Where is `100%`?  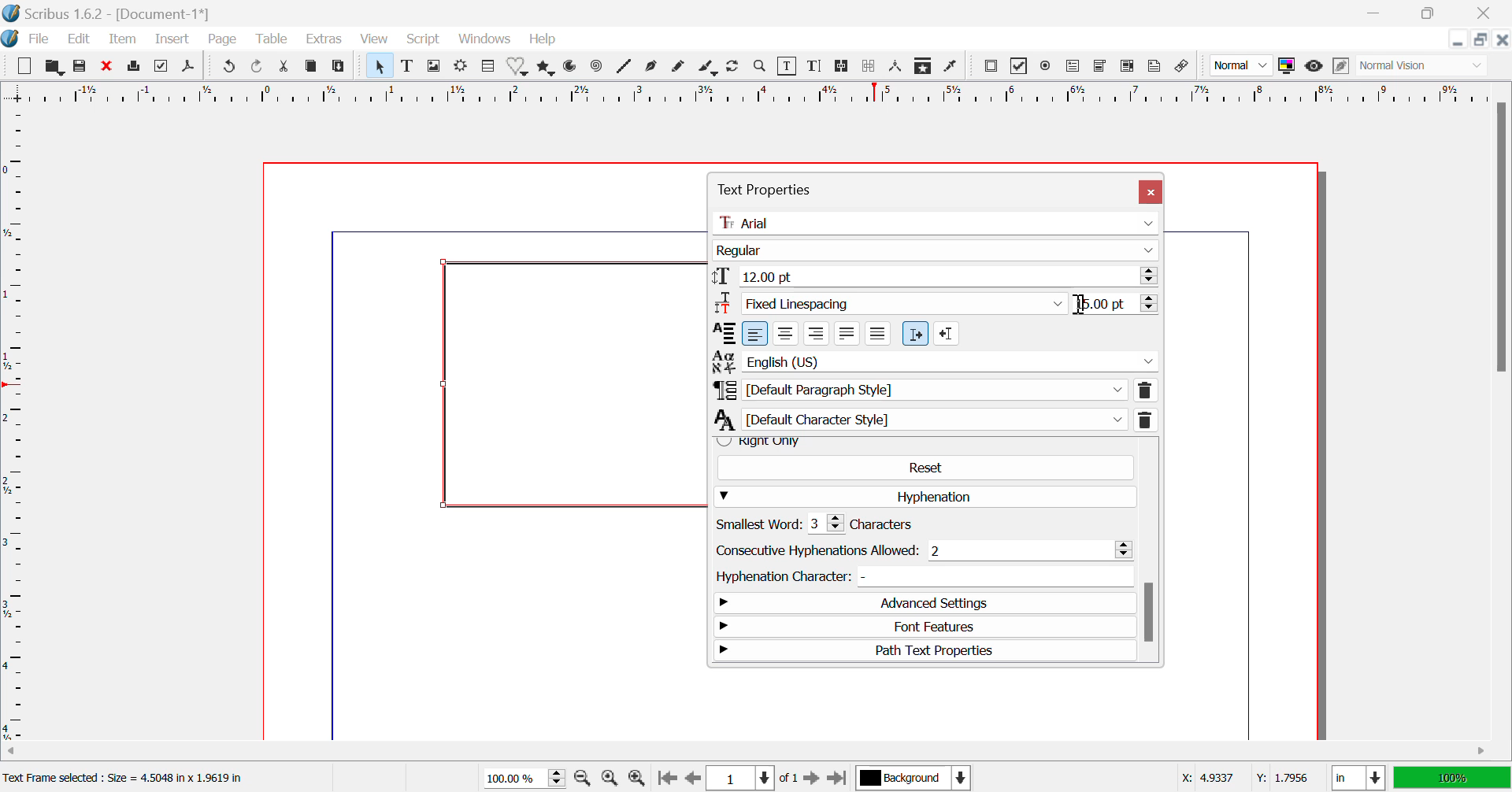
100% is located at coordinates (1451, 778).